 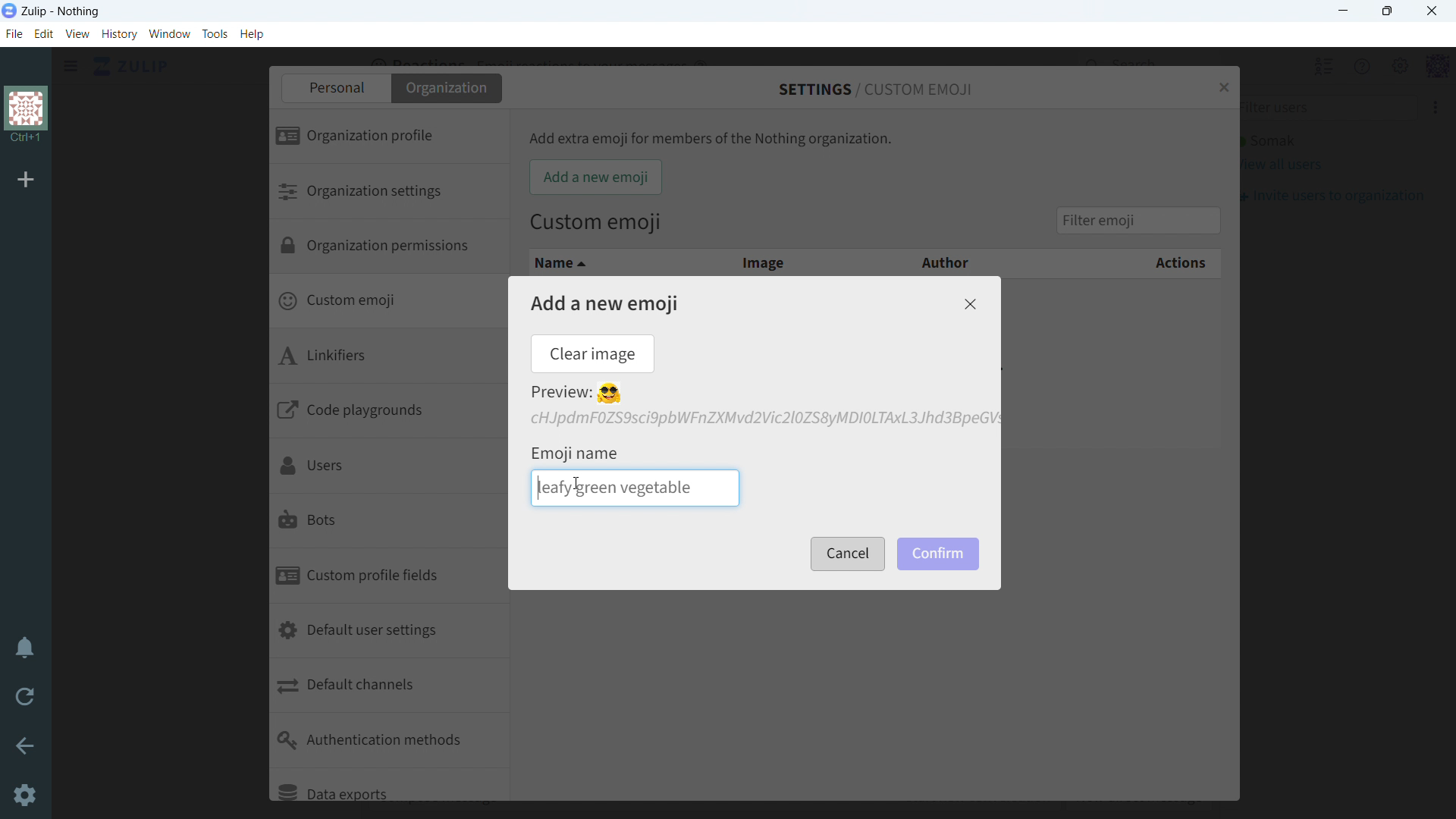 What do you see at coordinates (1447, 811) in the screenshot?
I see `scroll down` at bounding box center [1447, 811].